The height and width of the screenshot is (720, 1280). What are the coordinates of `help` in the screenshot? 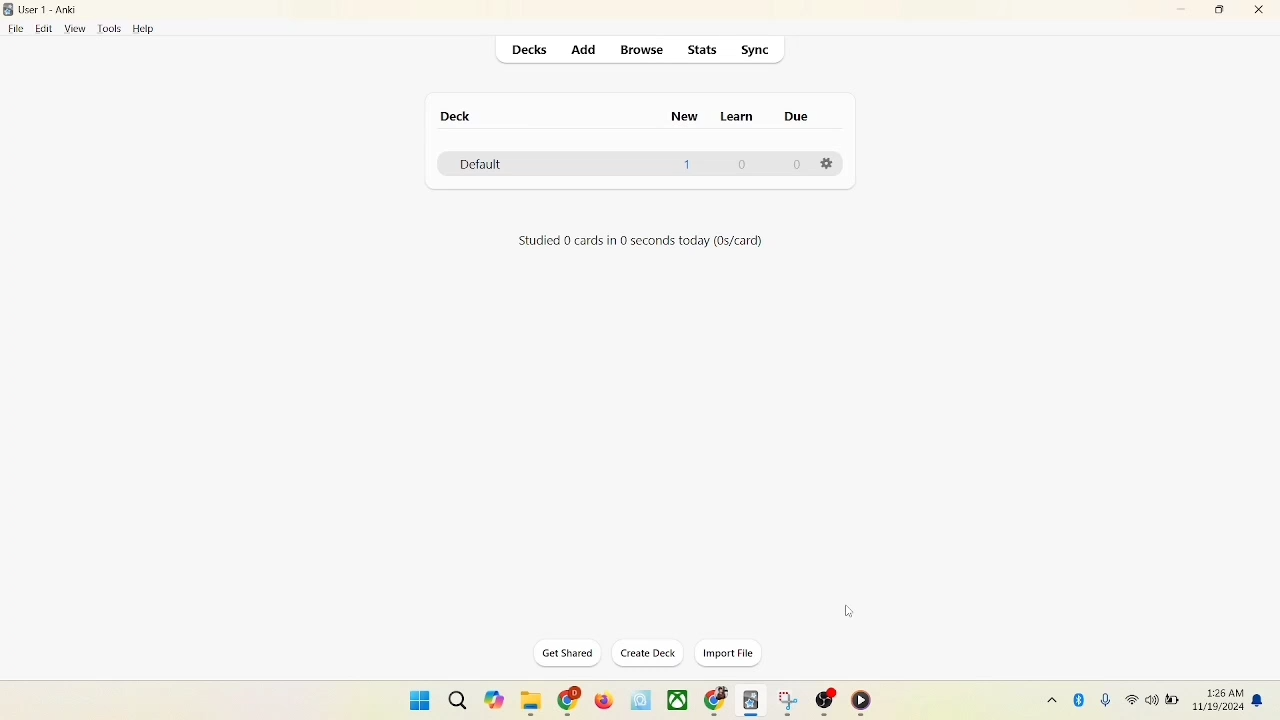 It's located at (144, 29).